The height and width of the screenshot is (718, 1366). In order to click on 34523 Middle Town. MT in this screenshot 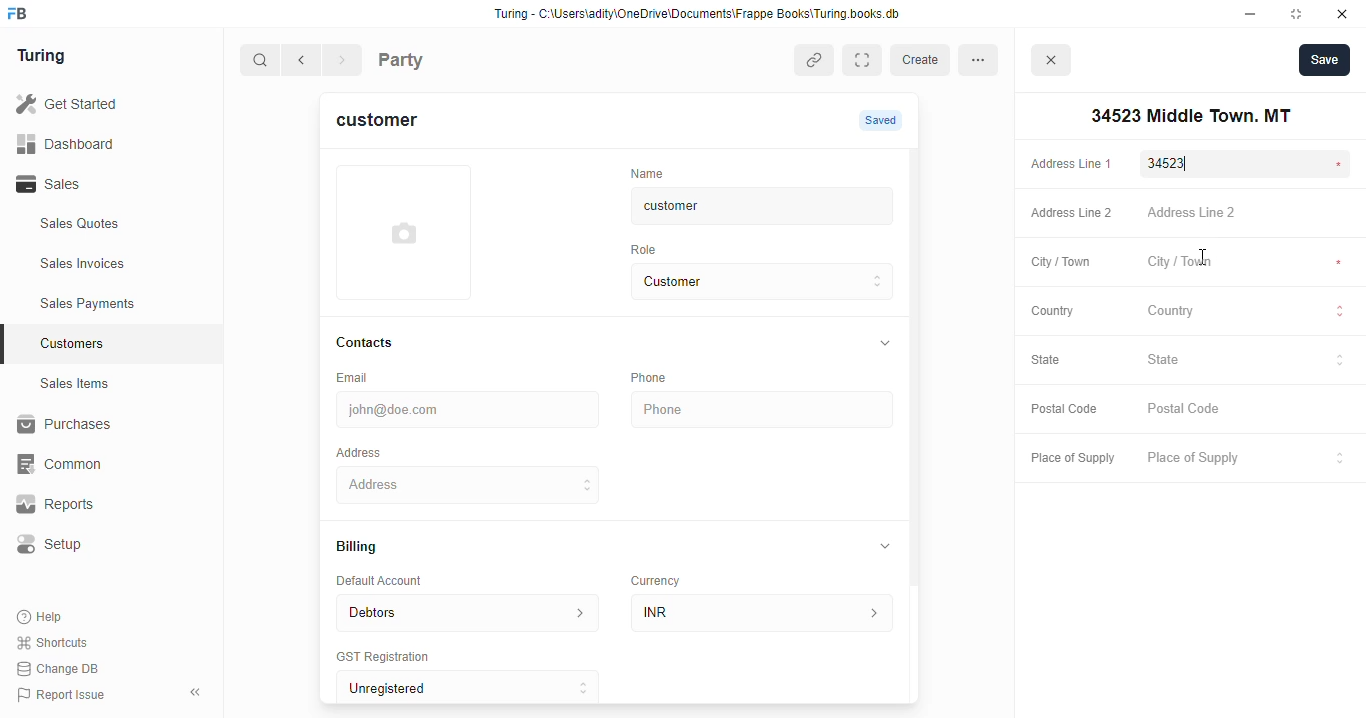, I will do `click(1187, 116)`.